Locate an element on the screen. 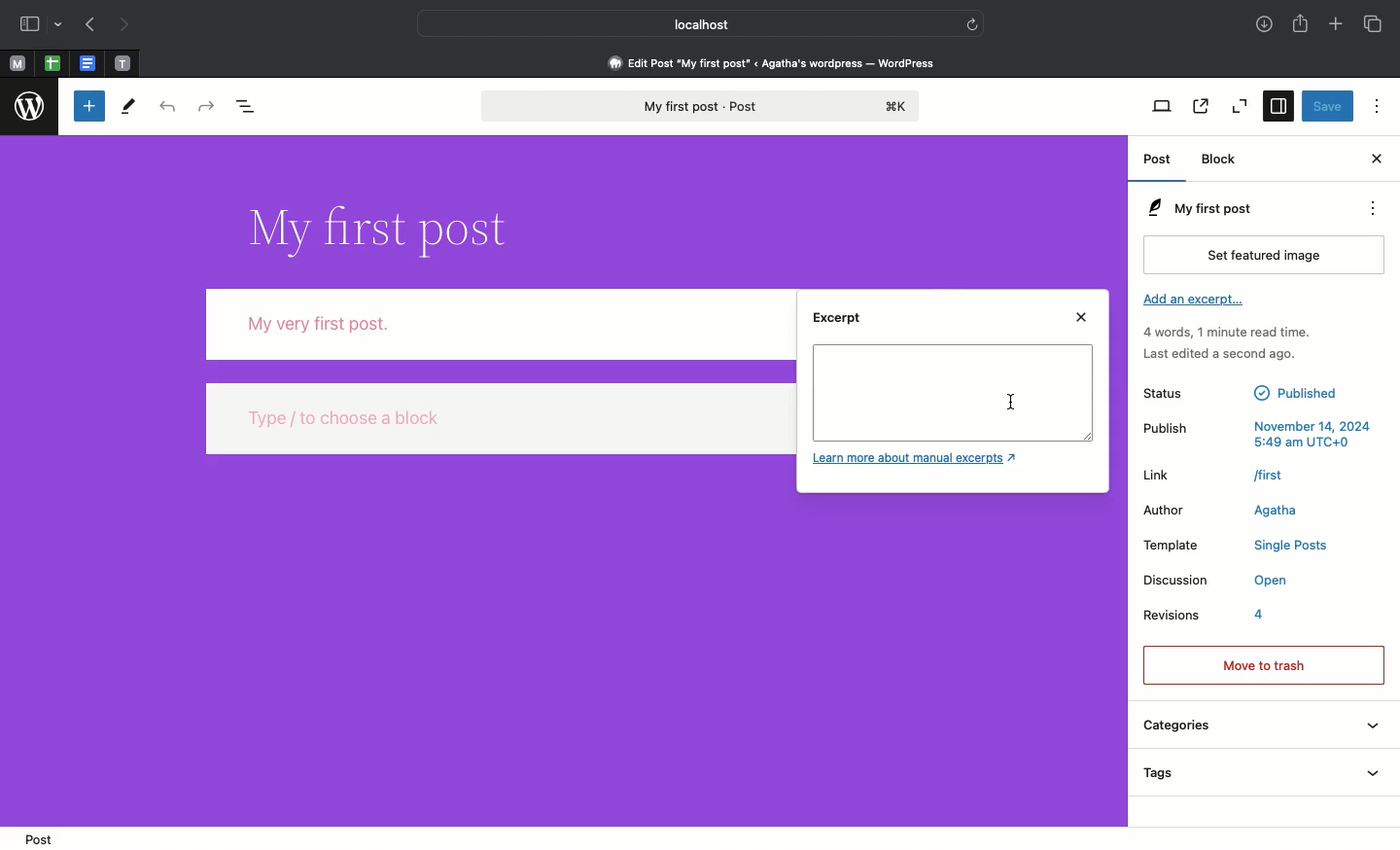 The height and width of the screenshot is (850, 1400). Zoom out is located at coordinates (1241, 108).